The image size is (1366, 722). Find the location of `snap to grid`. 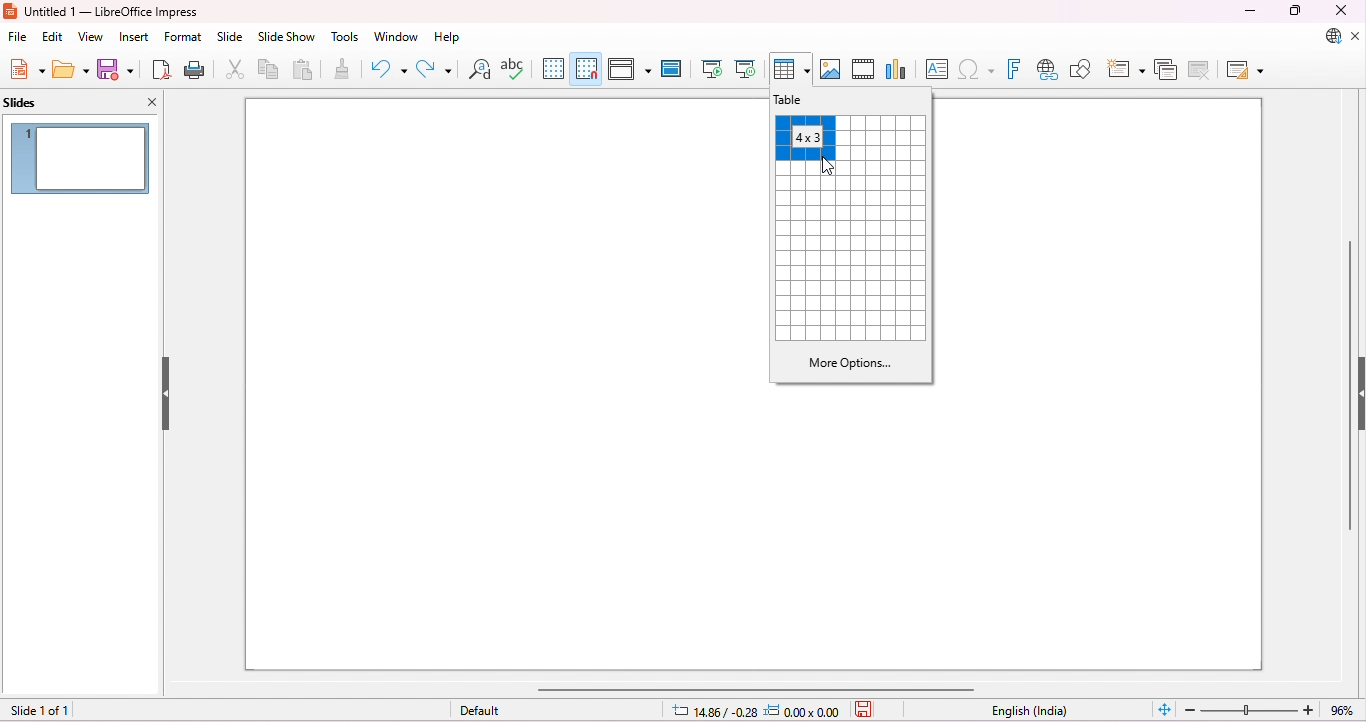

snap to grid is located at coordinates (587, 68).